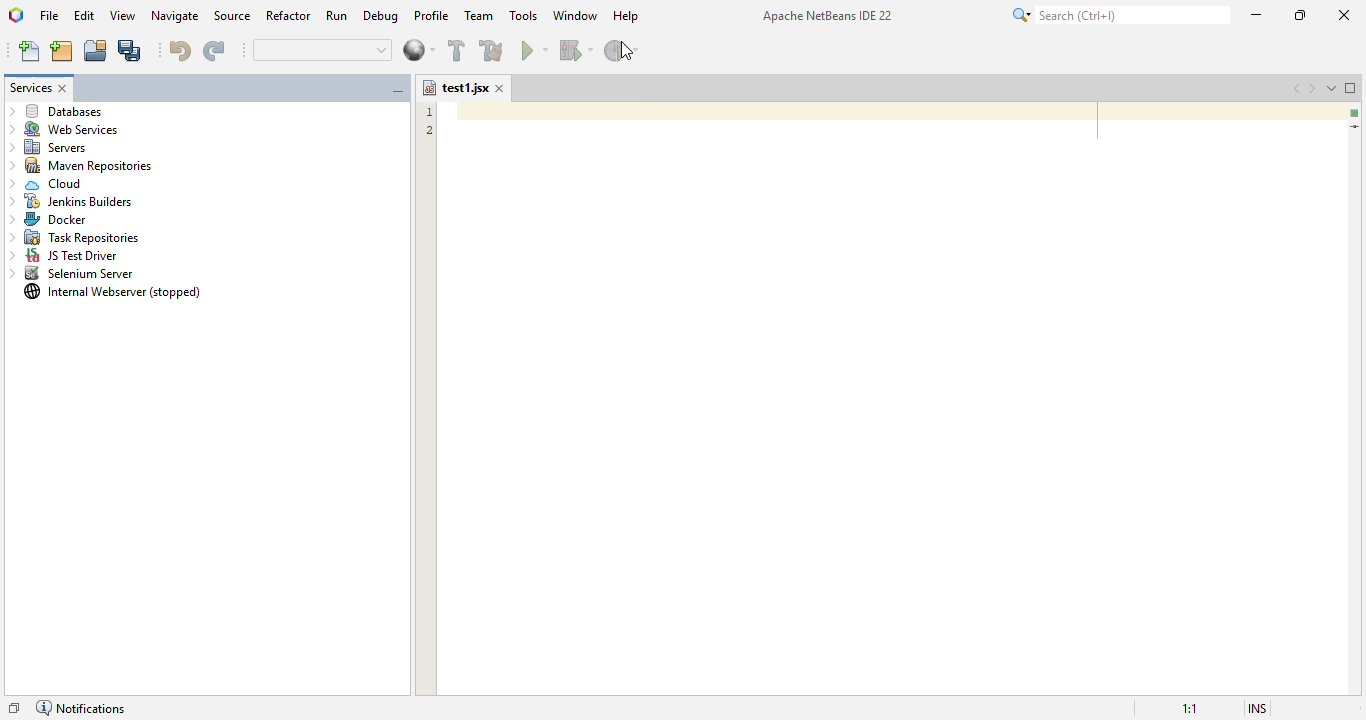  I want to click on close window group, so click(399, 91).